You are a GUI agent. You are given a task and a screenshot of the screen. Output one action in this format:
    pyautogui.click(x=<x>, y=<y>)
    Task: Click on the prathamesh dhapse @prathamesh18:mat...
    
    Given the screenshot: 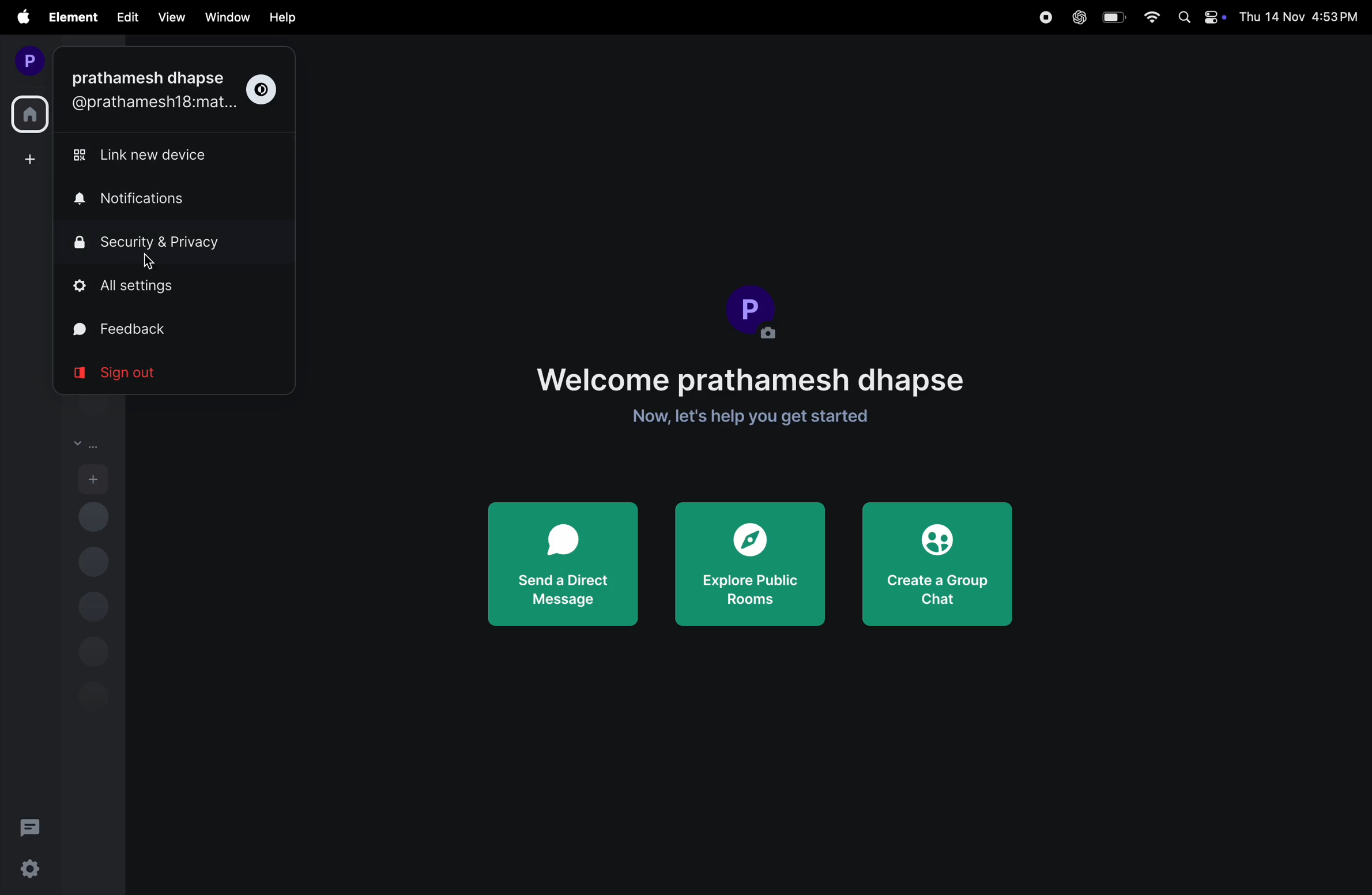 What is the action you would take?
    pyautogui.click(x=151, y=92)
    